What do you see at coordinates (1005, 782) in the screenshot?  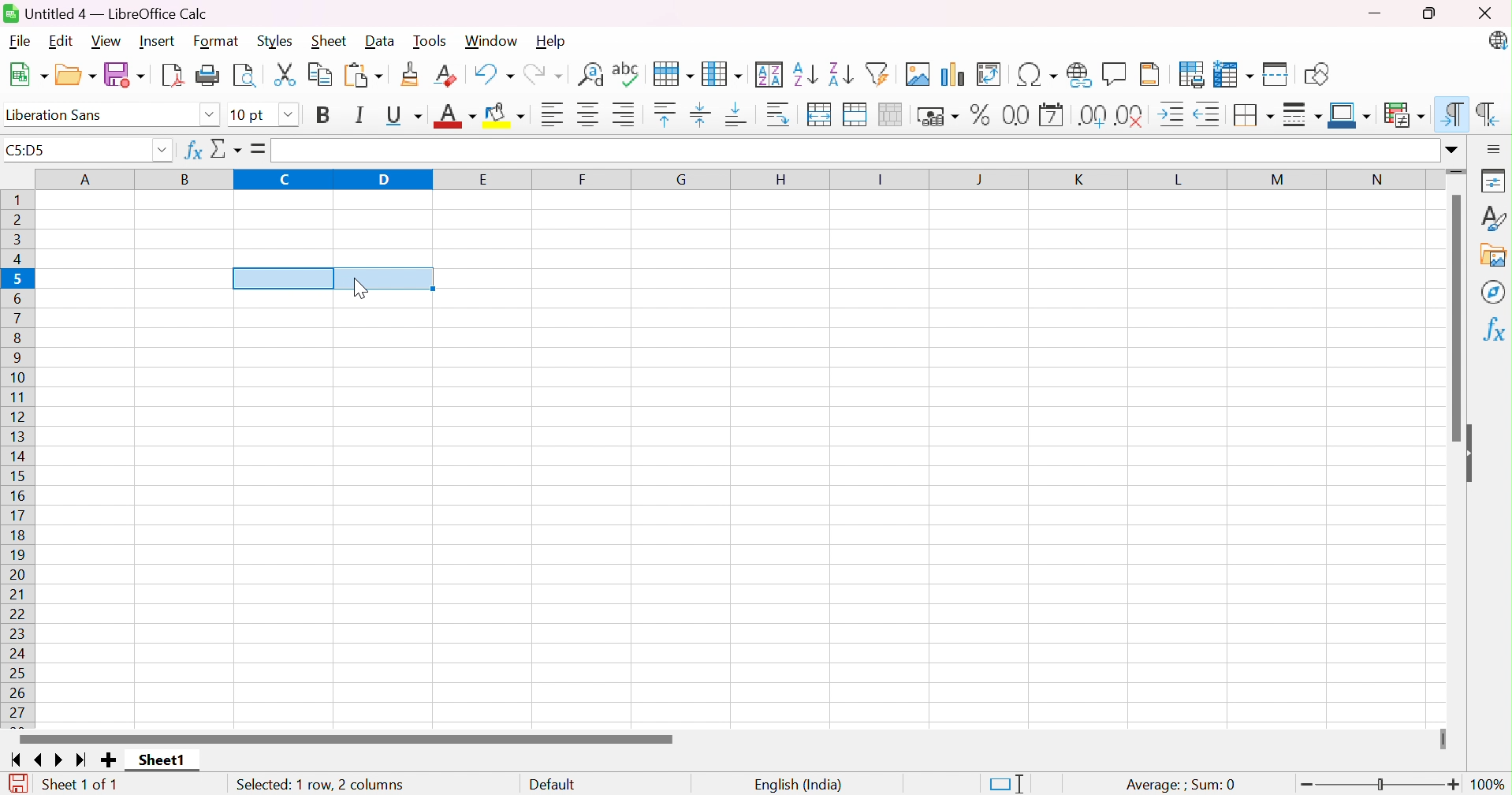 I see `Standard Selection. Click to change selection mode.` at bounding box center [1005, 782].